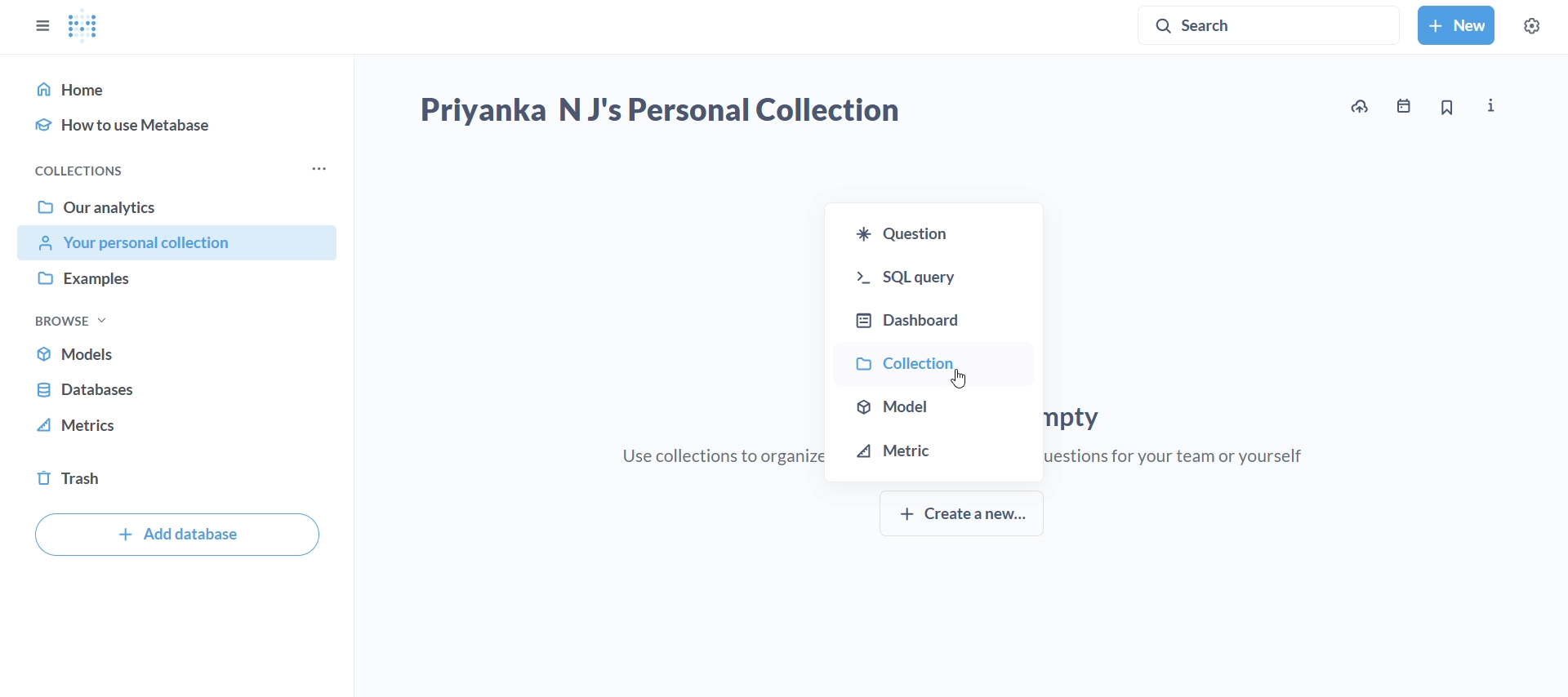  I want to click on search, so click(1271, 22).